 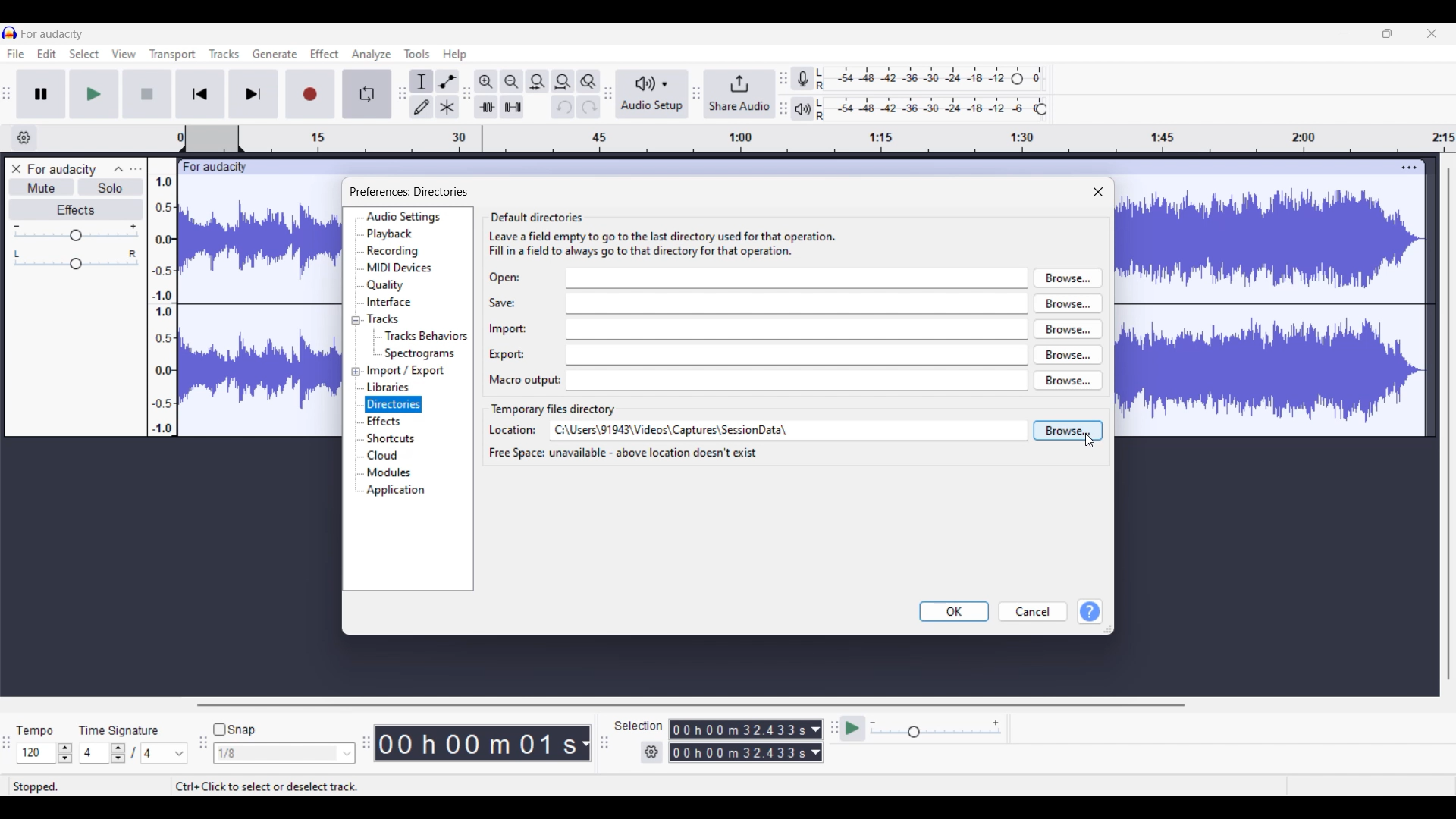 What do you see at coordinates (148, 94) in the screenshot?
I see `Stop` at bounding box center [148, 94].